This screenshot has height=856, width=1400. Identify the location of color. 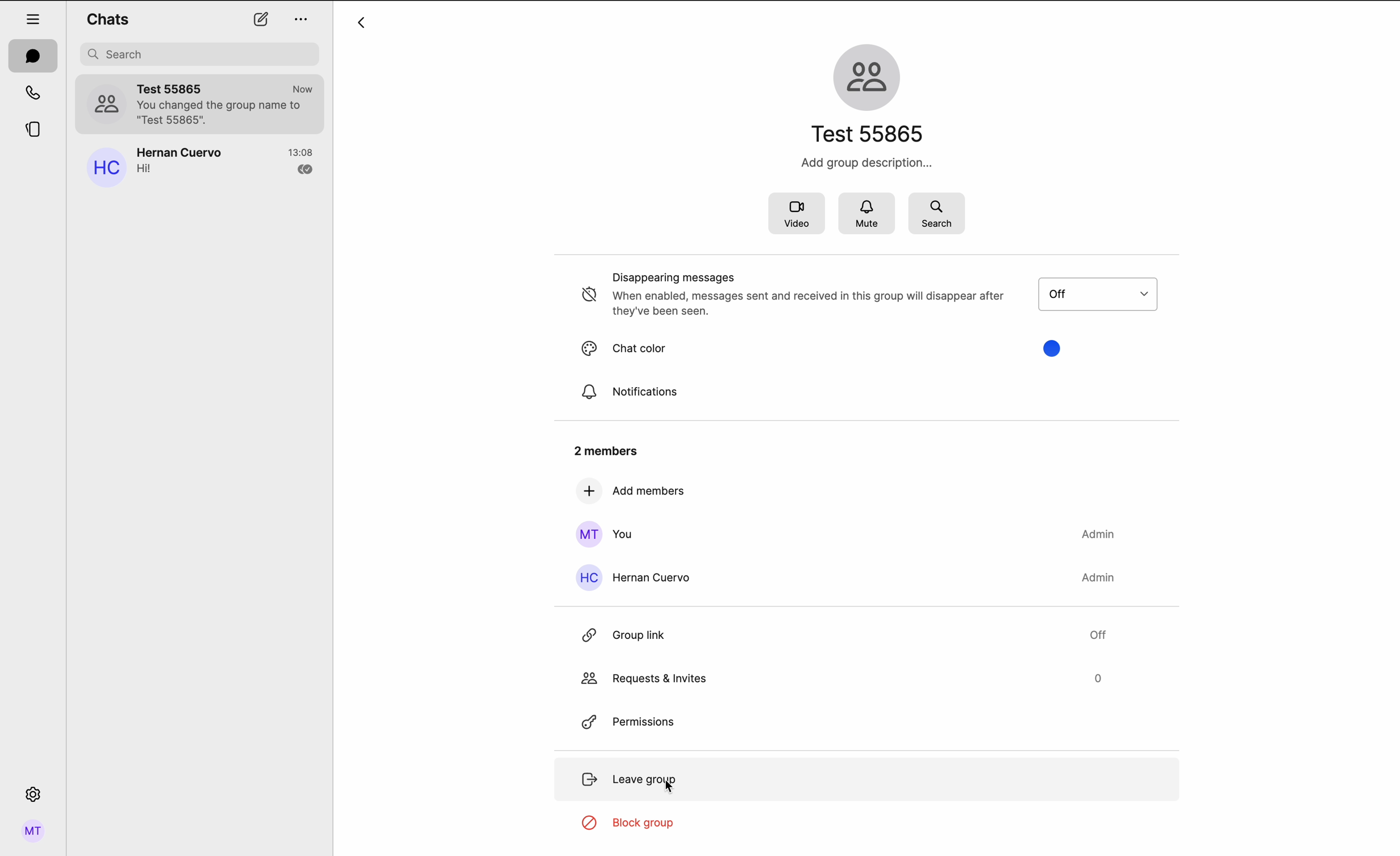
(1049, 347).